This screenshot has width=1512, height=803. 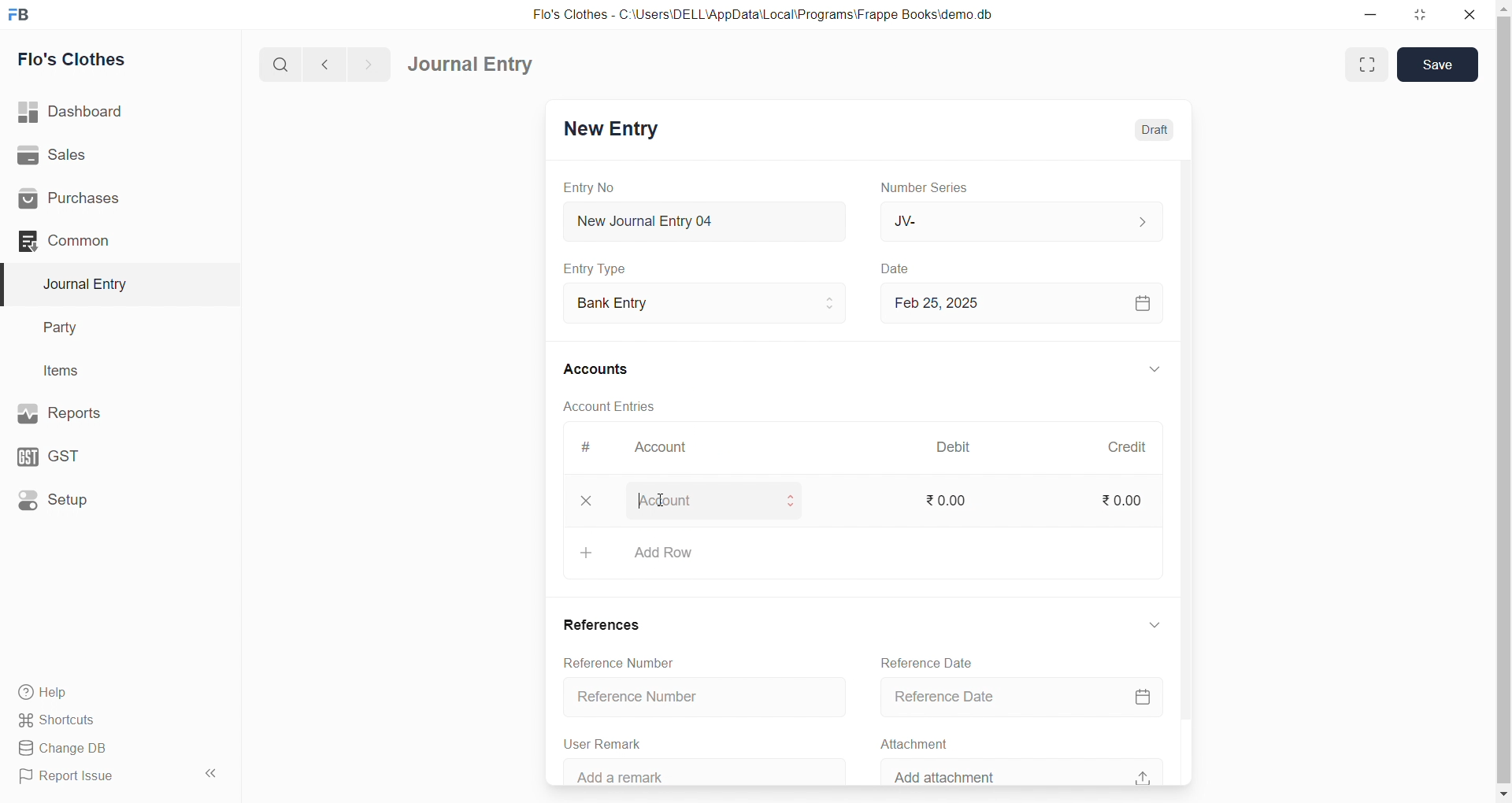 What do you see at coordinates (1027, 302) in the screenshot?
I see `Feb 25, 2025` at bounding box center [1027, 302].